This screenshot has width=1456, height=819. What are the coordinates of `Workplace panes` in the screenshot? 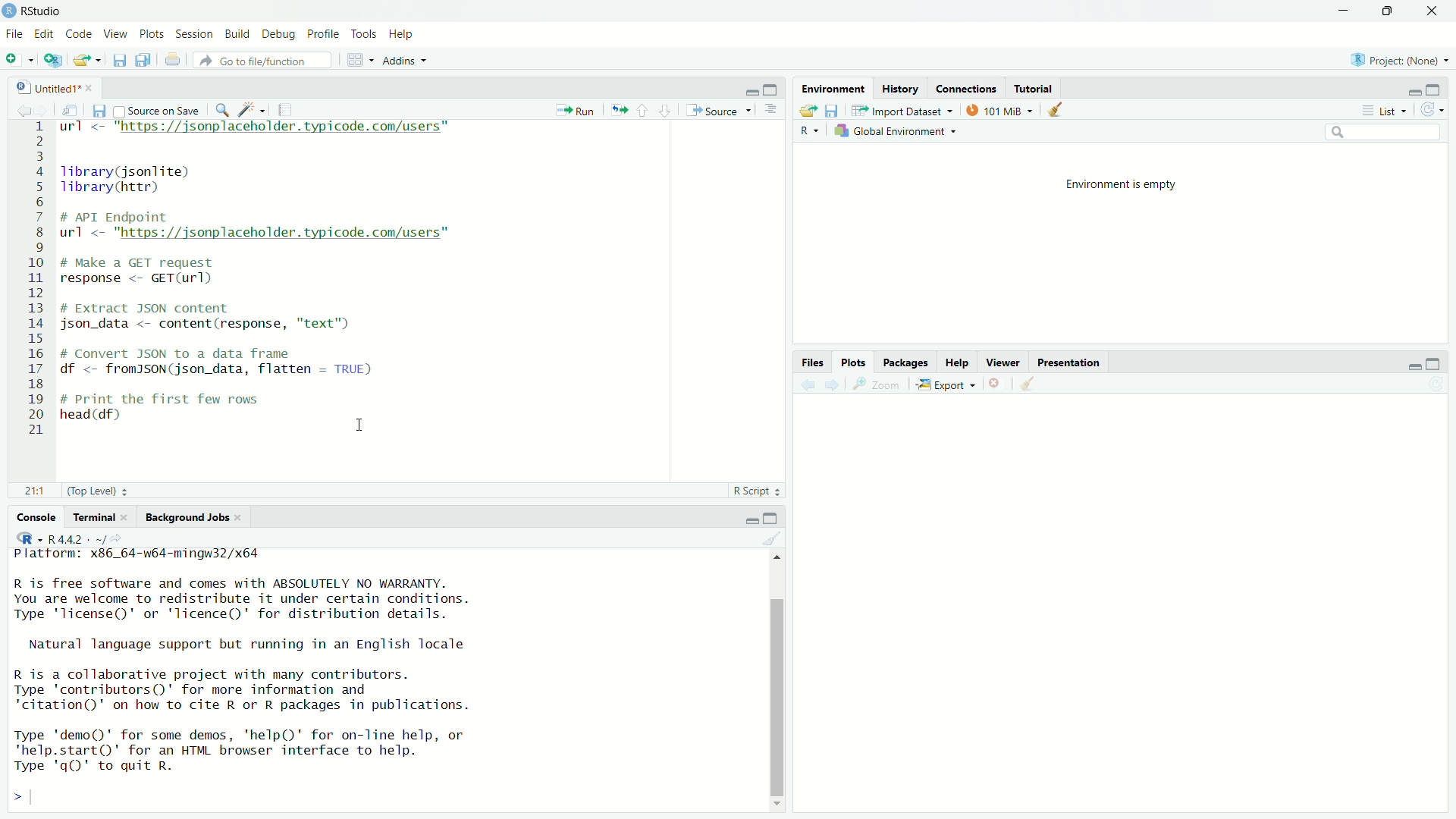 It's located at (361, 60).